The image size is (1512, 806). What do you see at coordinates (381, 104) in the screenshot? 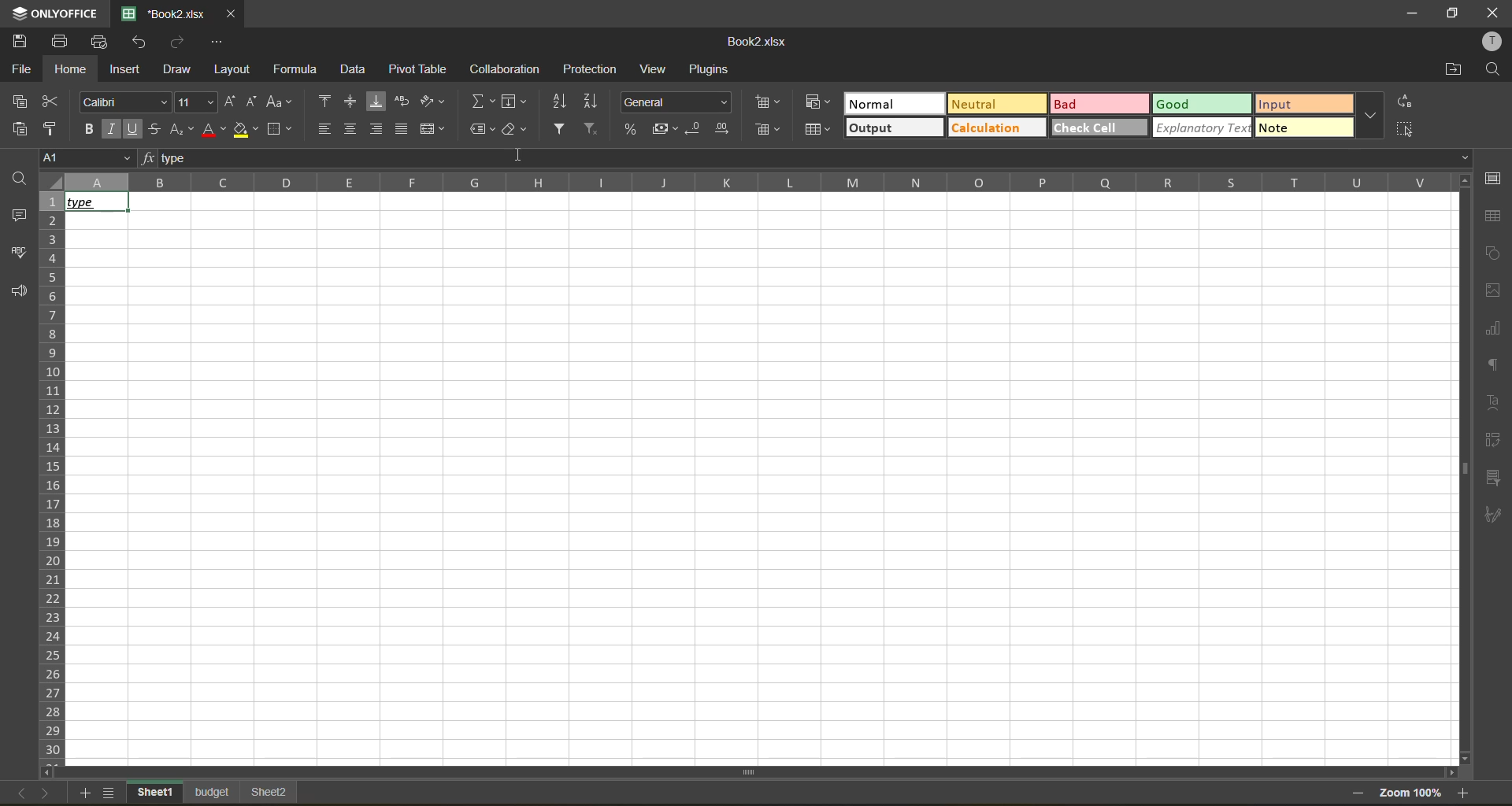
I see `align bottom` at bounding box center [381, 104].